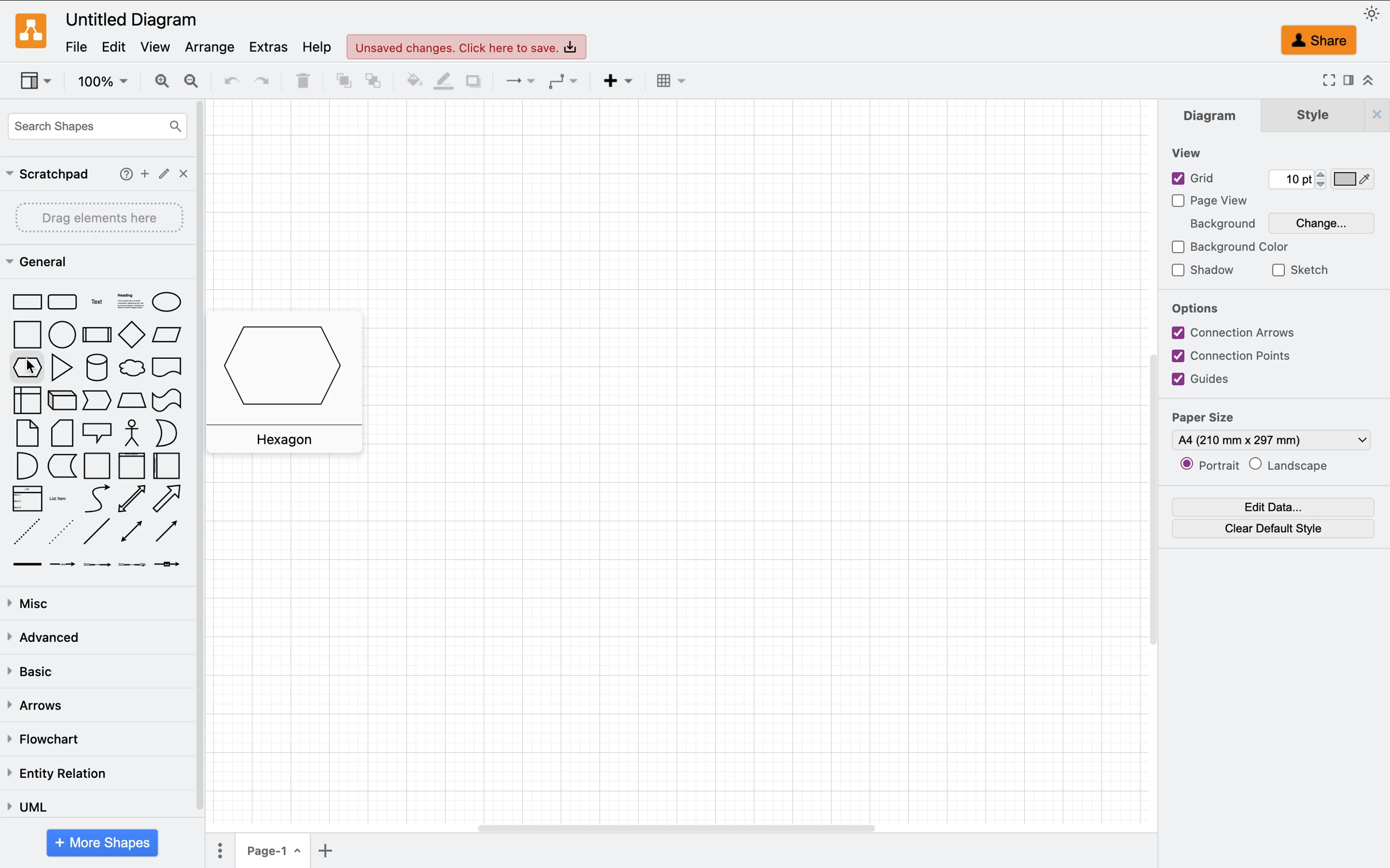 The height and width of the screenshot is (868, 1390). I want to click on circle, so click(62, 334).